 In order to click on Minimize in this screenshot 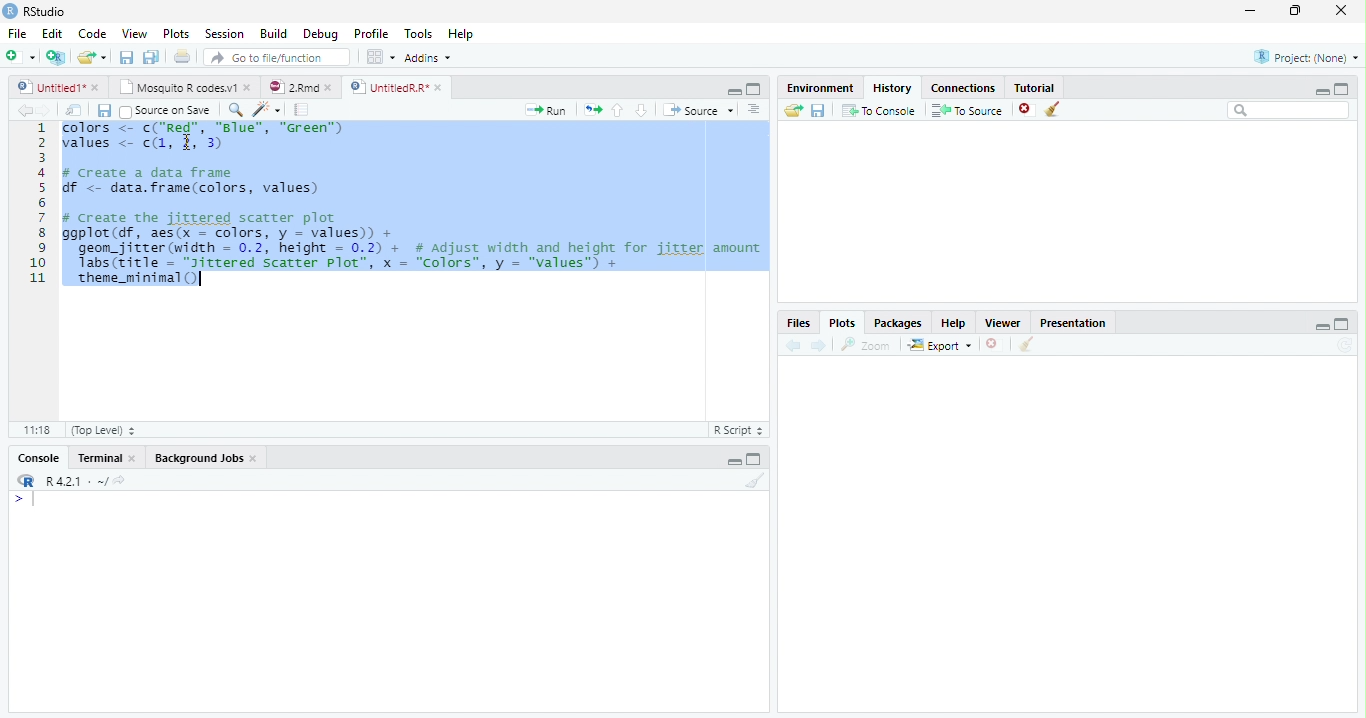, I will do `click(733, 462)`.